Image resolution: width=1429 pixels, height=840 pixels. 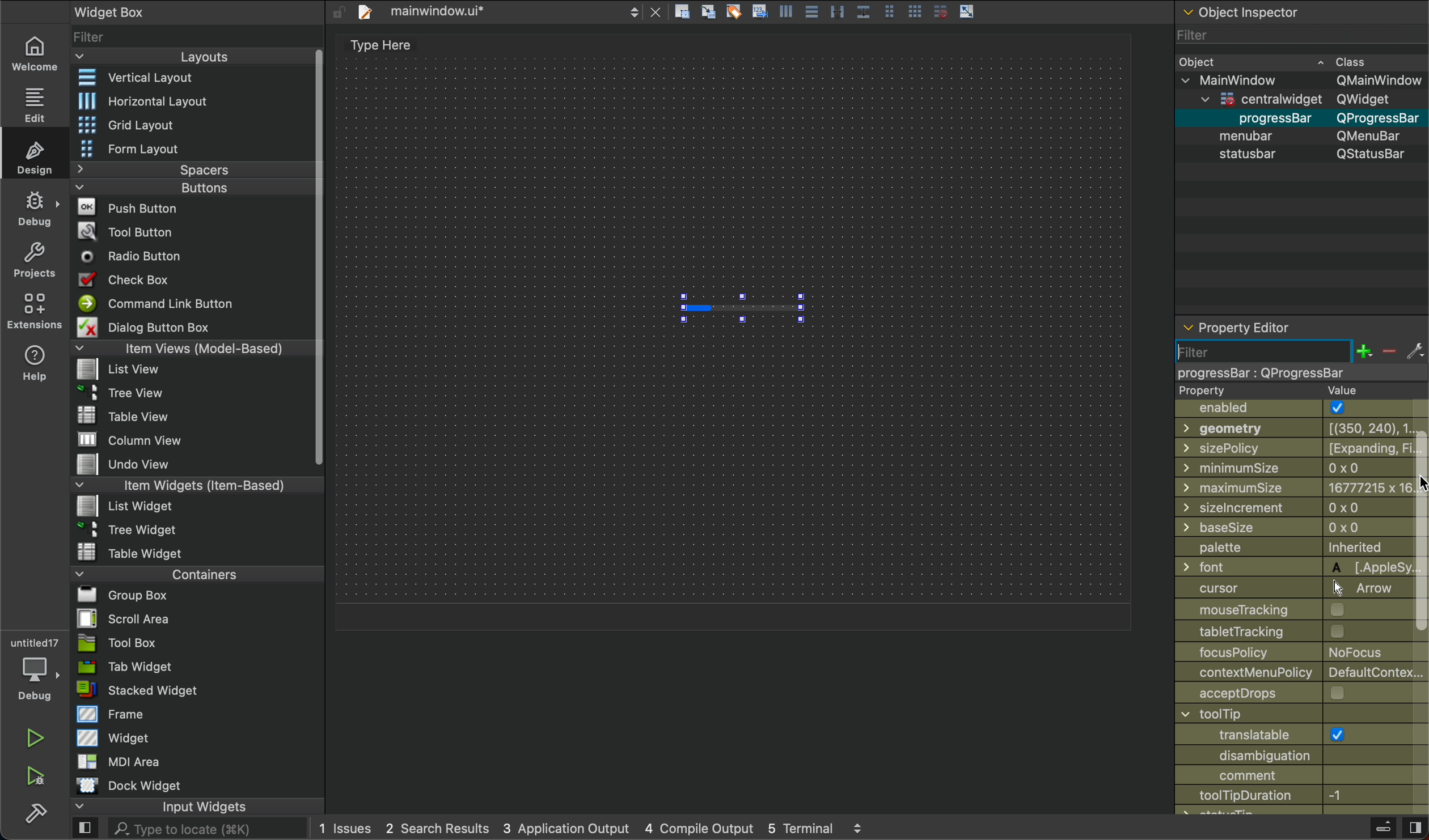 I want to click on build, so click(x=36, y=811).